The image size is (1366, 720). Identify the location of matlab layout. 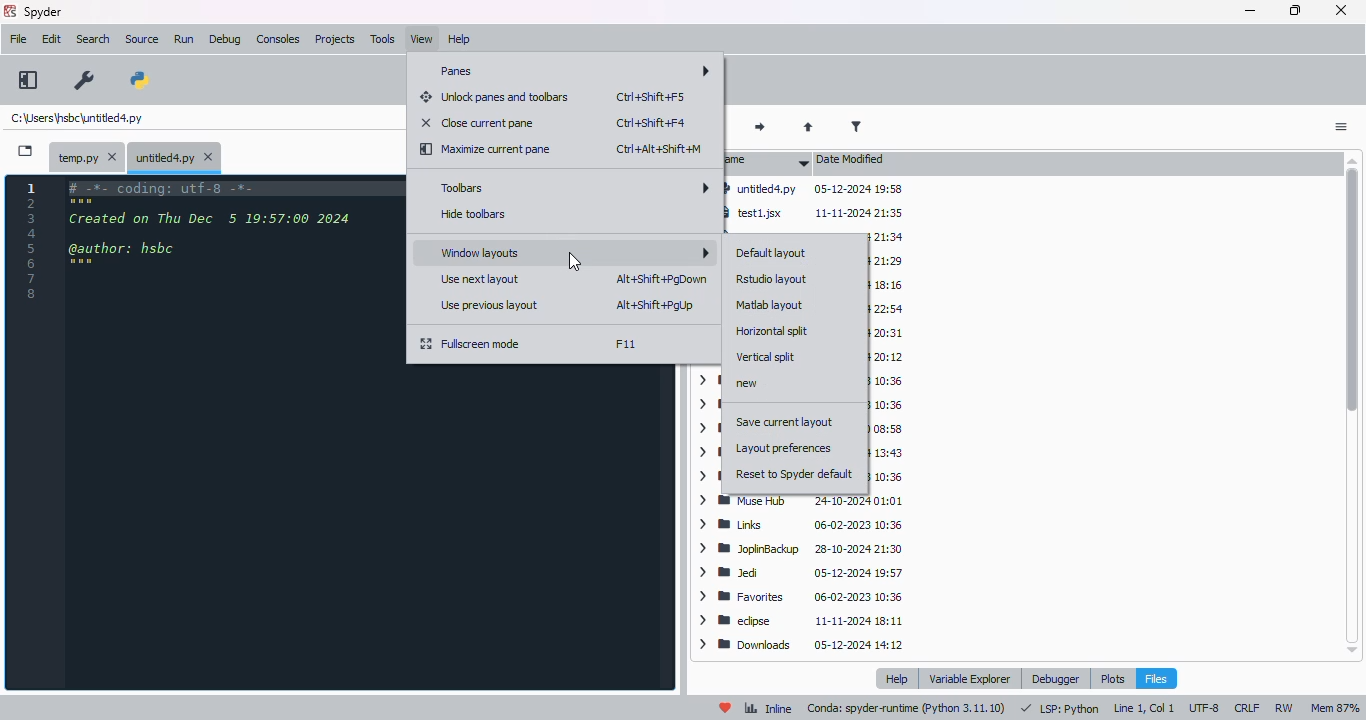
(771, 304).